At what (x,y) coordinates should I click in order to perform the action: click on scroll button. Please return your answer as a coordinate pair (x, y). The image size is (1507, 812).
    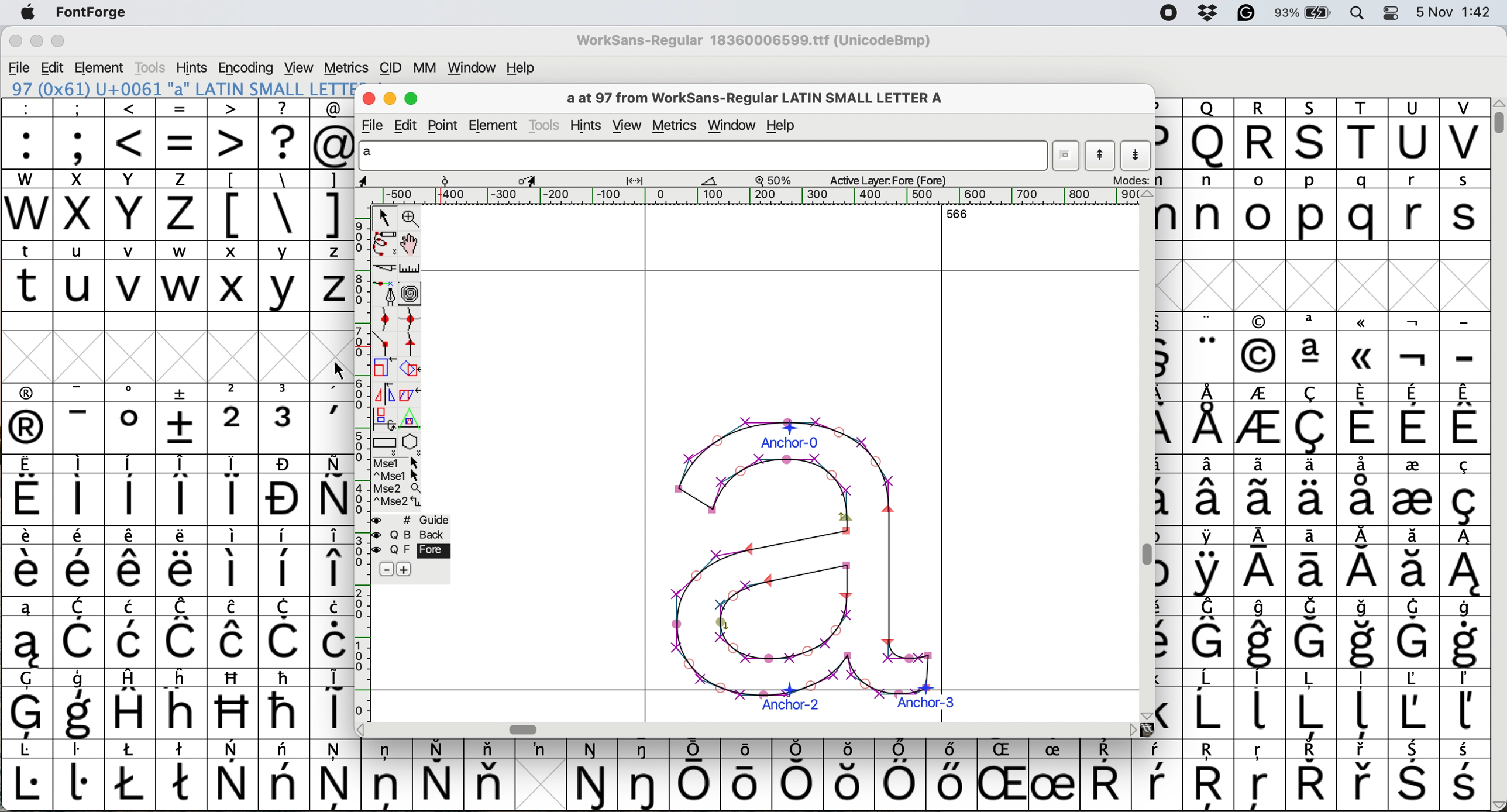
    Looking at the image, I should click on (1150, 195).